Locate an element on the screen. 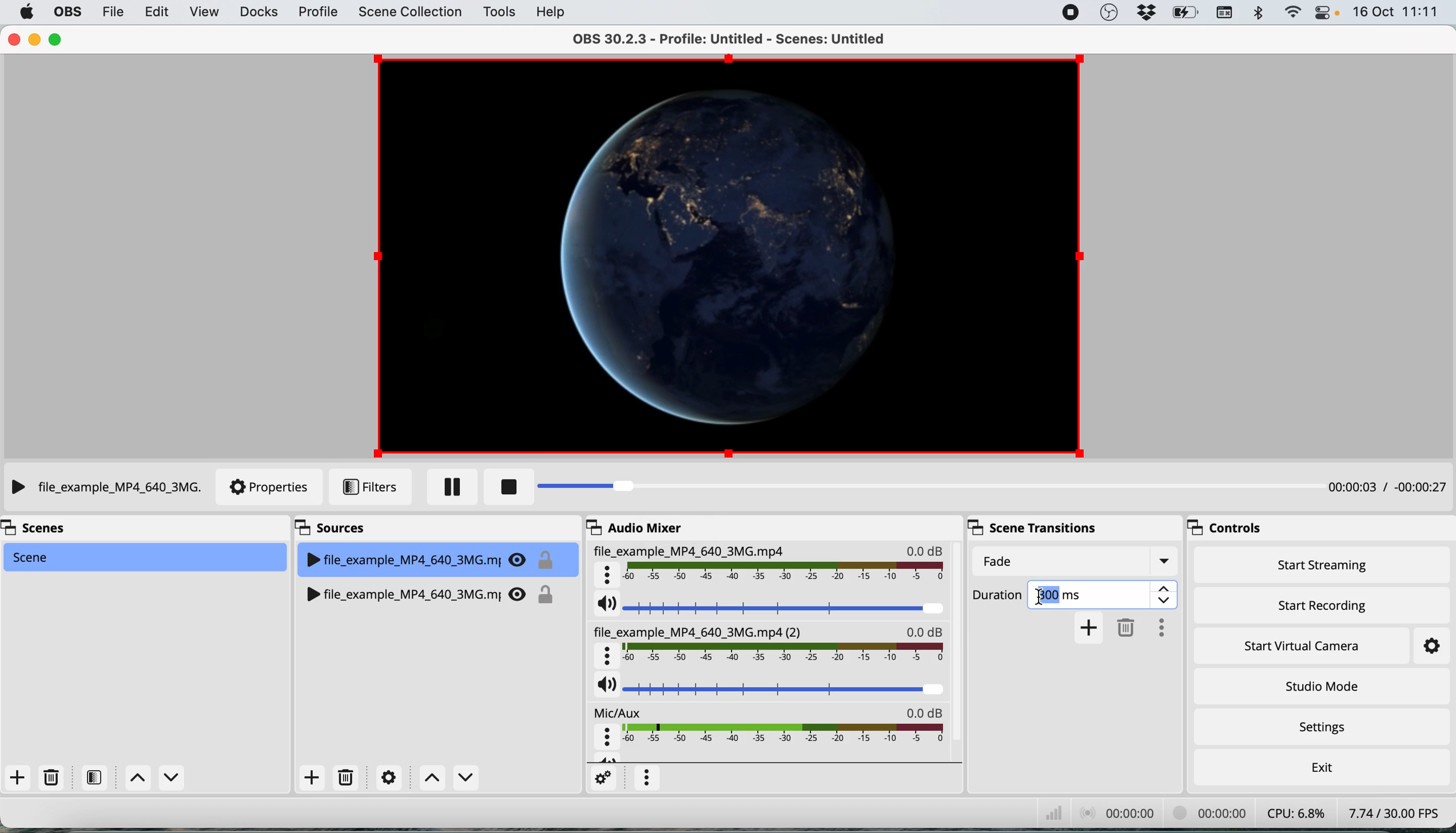 The width and height of the screenshot is (1456, 833). scene transitions is located at coordinates (1027, 527).